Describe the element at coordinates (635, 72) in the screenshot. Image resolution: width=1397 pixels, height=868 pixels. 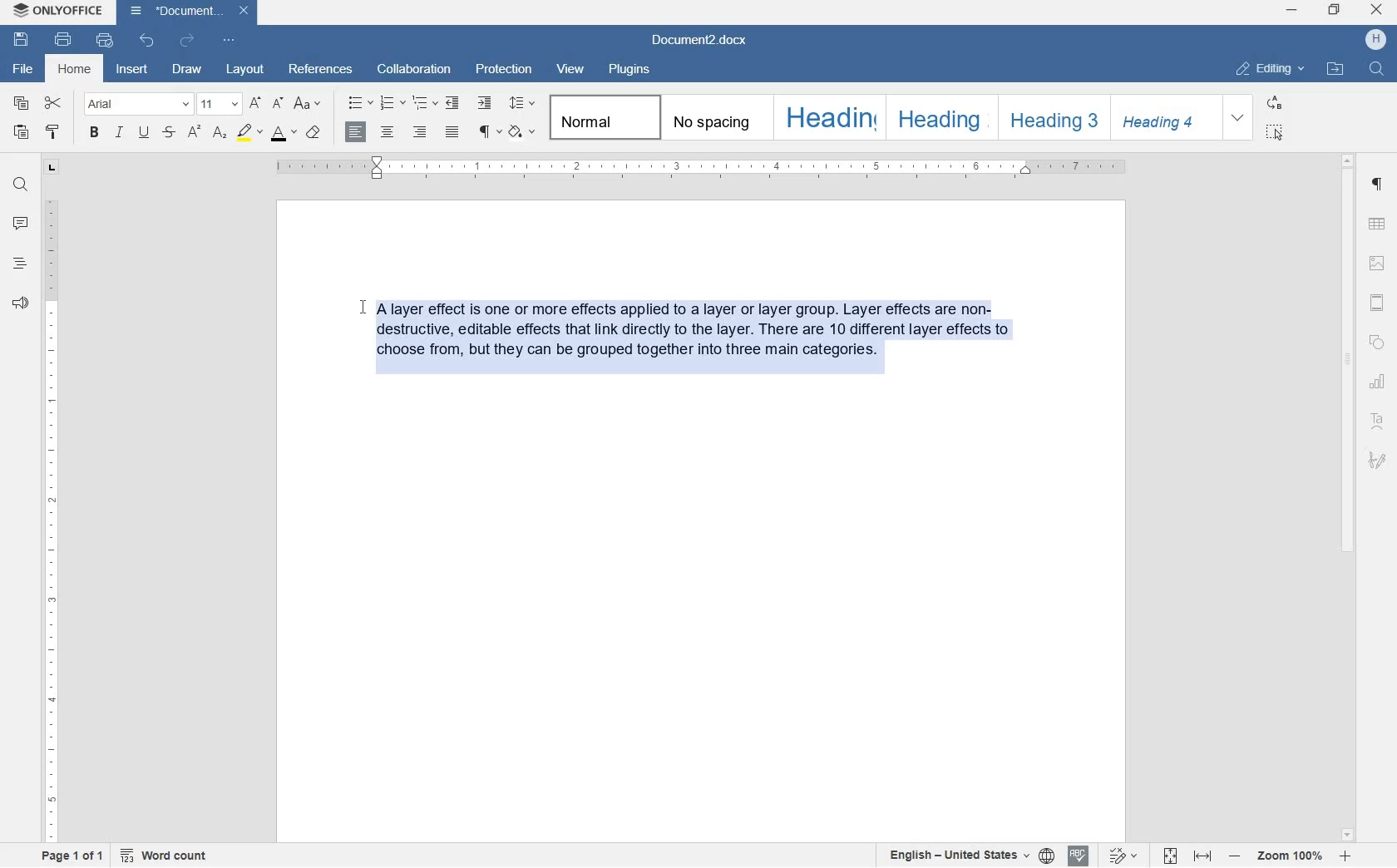
I see `plugins` at that location.